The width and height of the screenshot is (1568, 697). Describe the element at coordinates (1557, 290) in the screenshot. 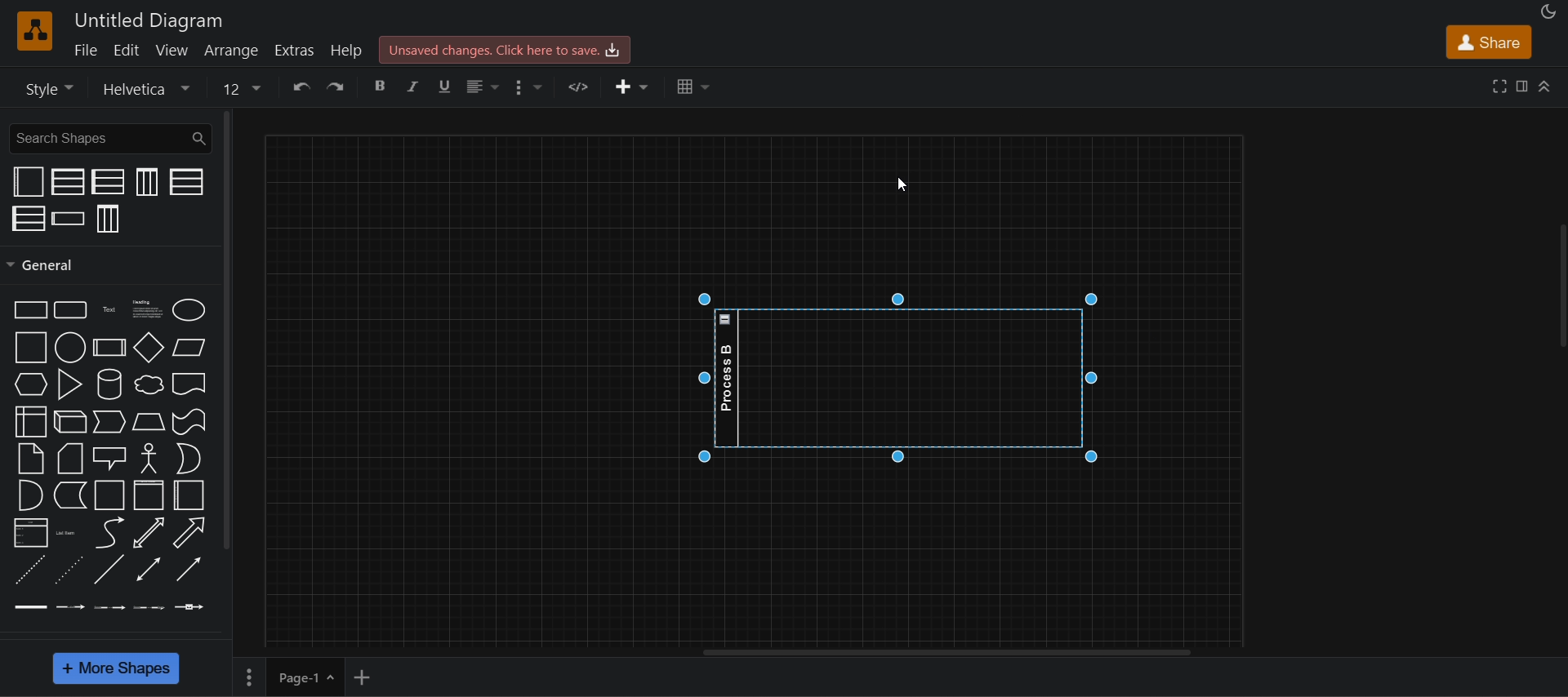

I see `collapse` at that location.